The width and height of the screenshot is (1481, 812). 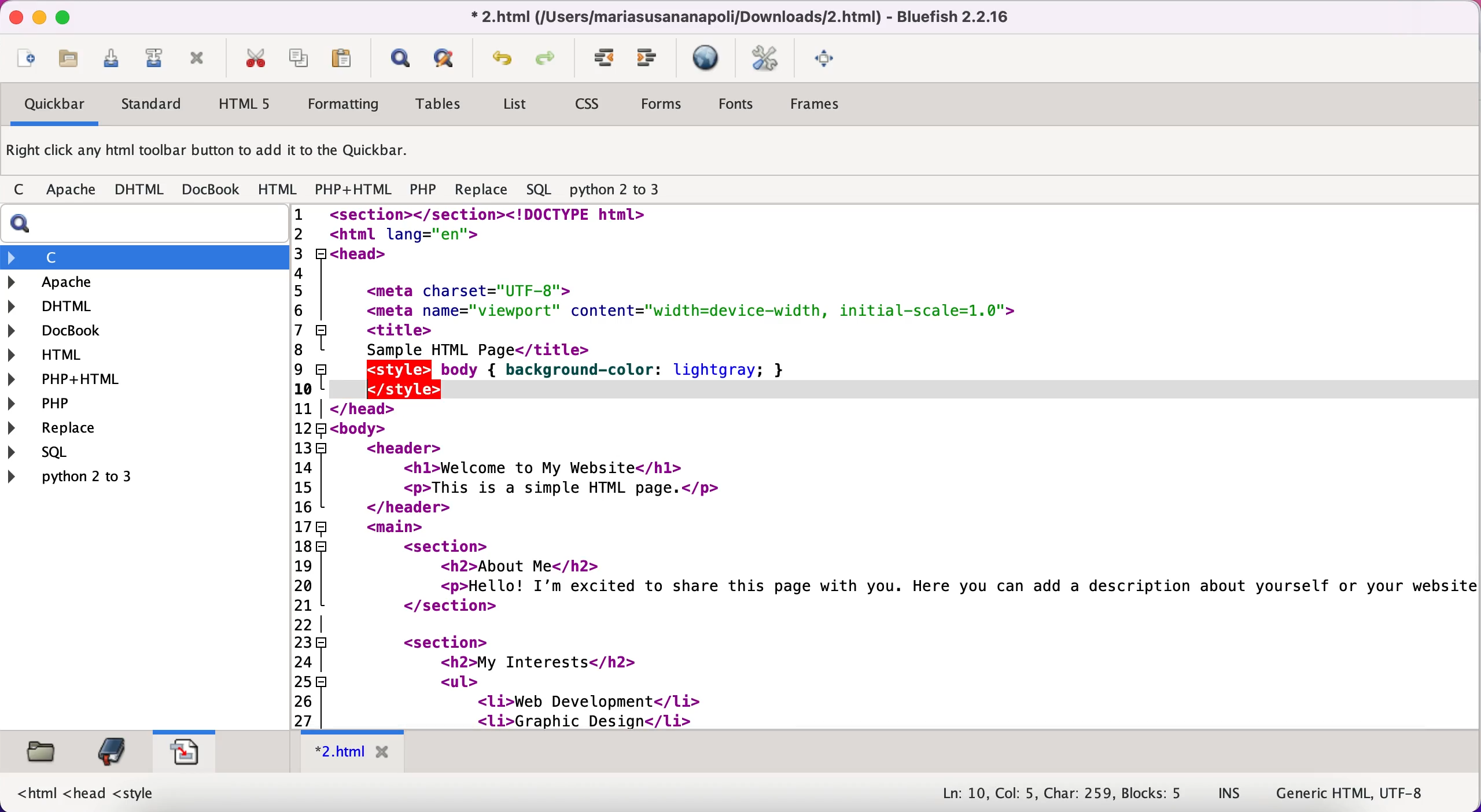 I want to click on dhtml, so click(x=140, y=190).